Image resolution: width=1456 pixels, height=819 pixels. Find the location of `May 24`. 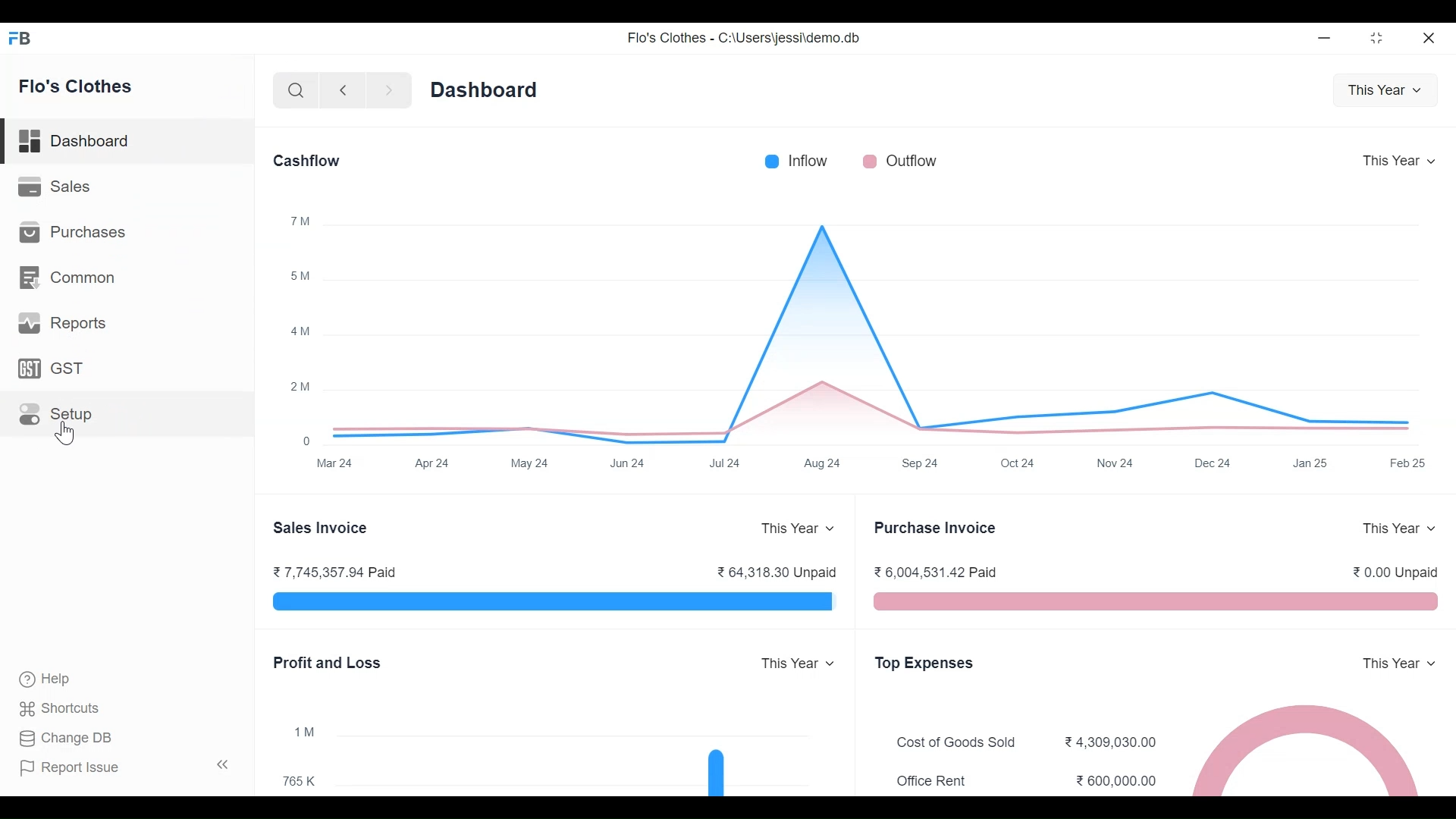

May 24 is located at coordinates (532, 462).